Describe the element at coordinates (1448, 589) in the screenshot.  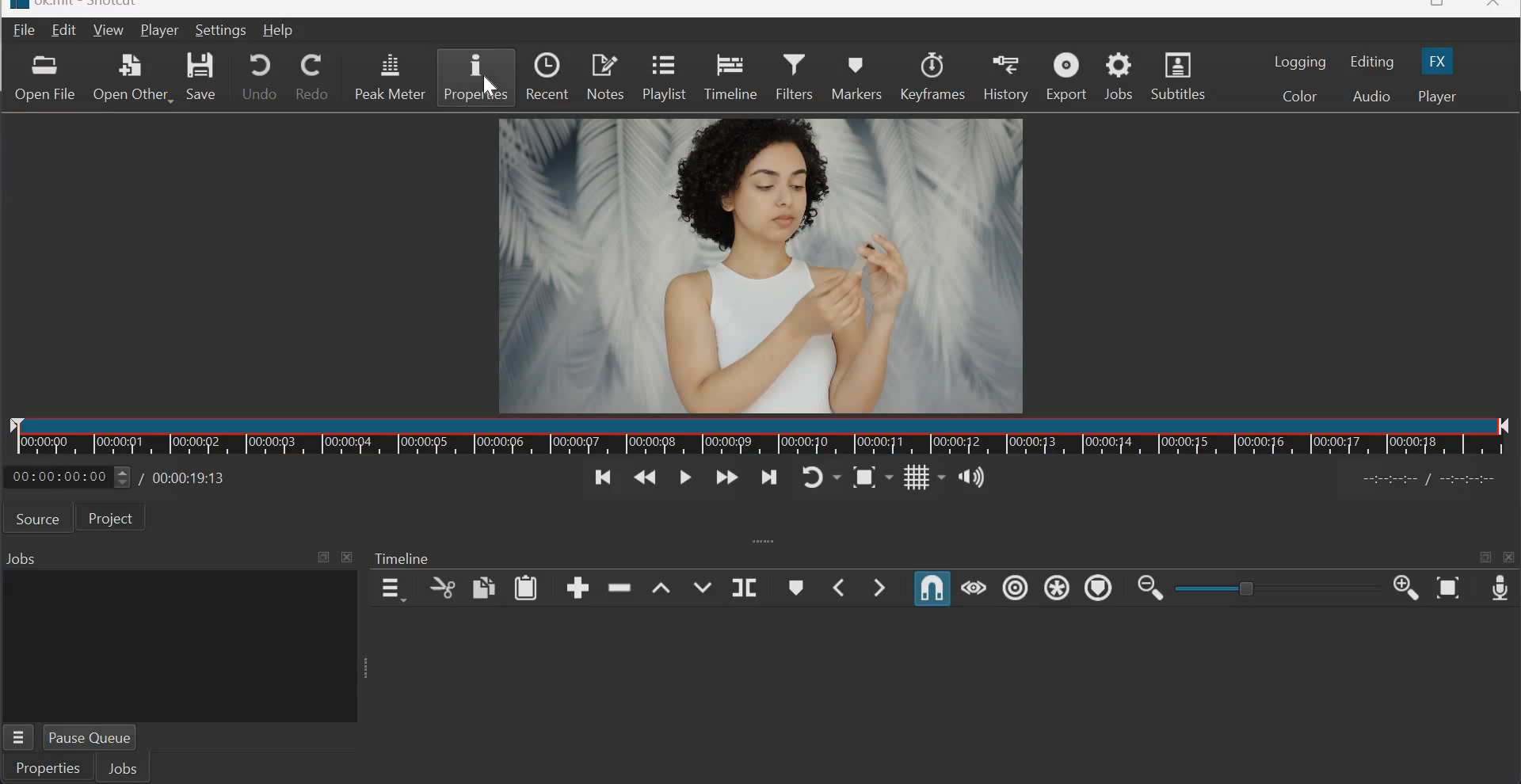
I see `Zoom Timeline to Fit` at that location.